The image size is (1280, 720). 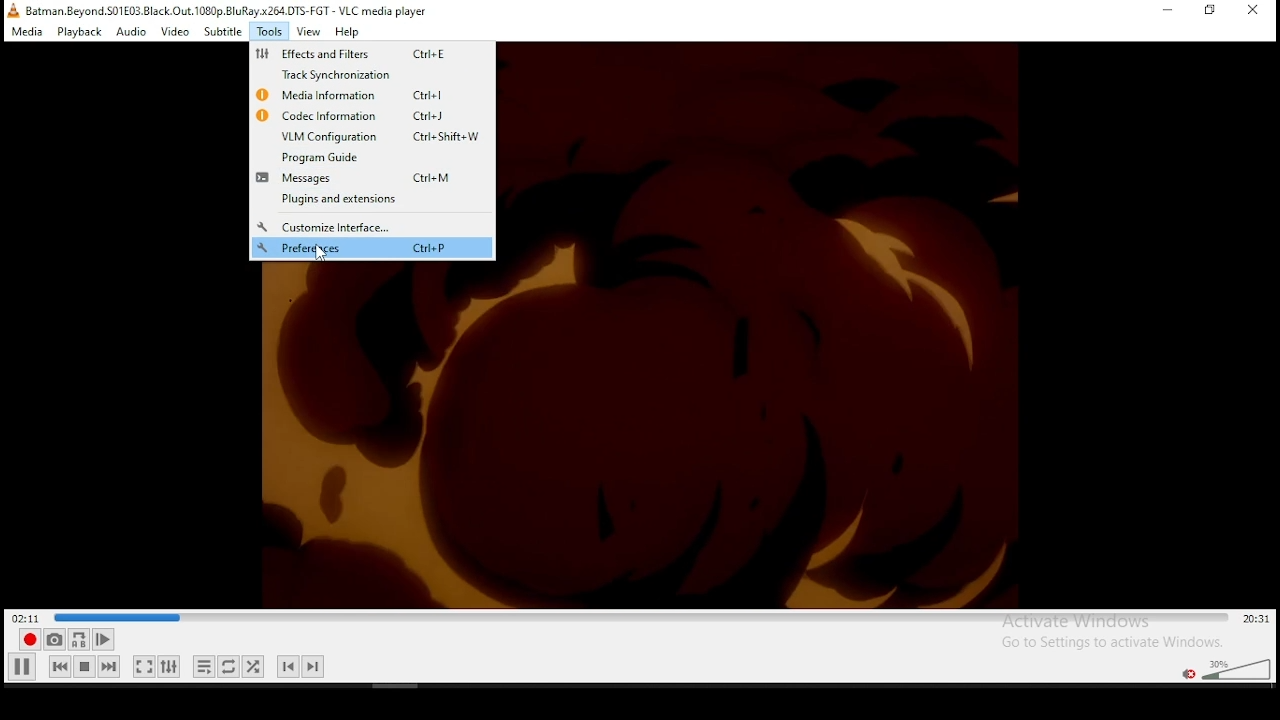 I want to click on video, so click(x=175, y=33).